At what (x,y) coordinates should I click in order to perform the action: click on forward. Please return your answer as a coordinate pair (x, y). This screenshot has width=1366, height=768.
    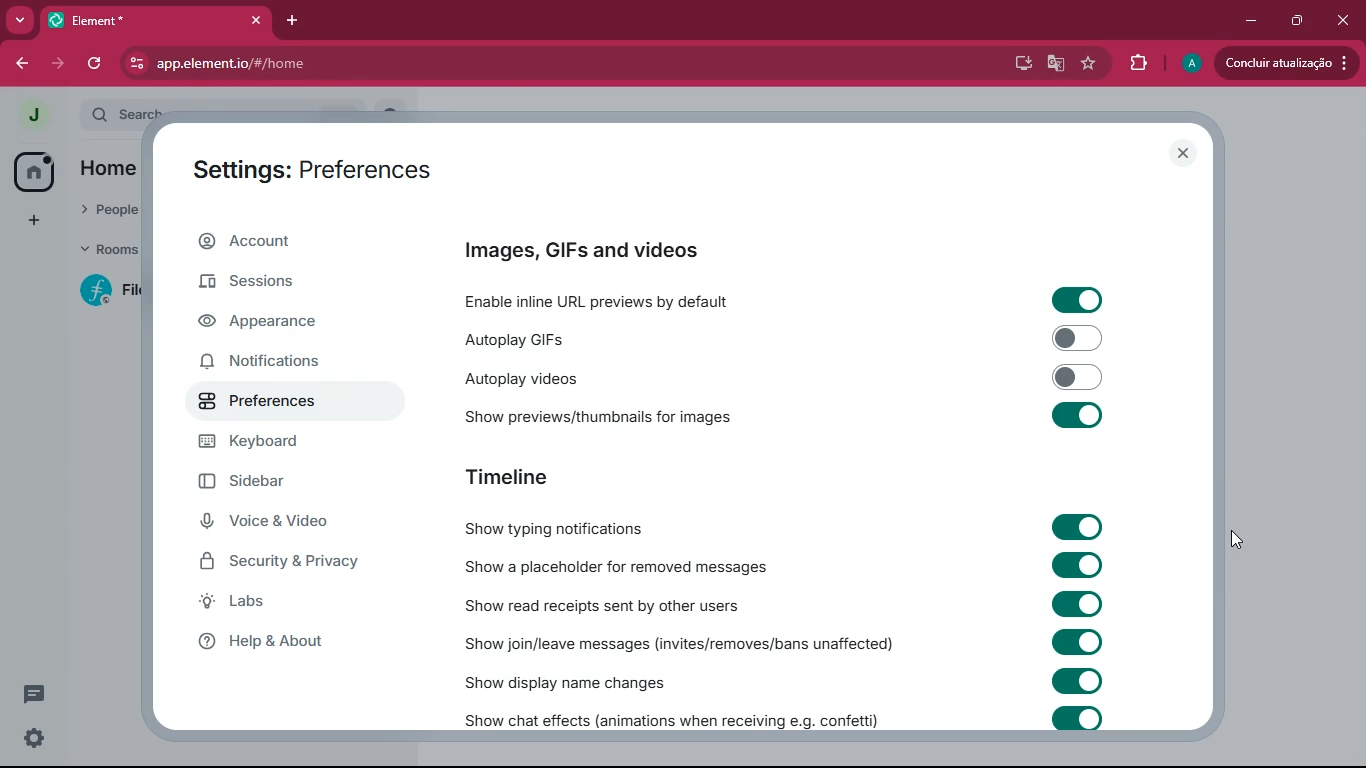
    Looking at the image, I should click on (58, 65).